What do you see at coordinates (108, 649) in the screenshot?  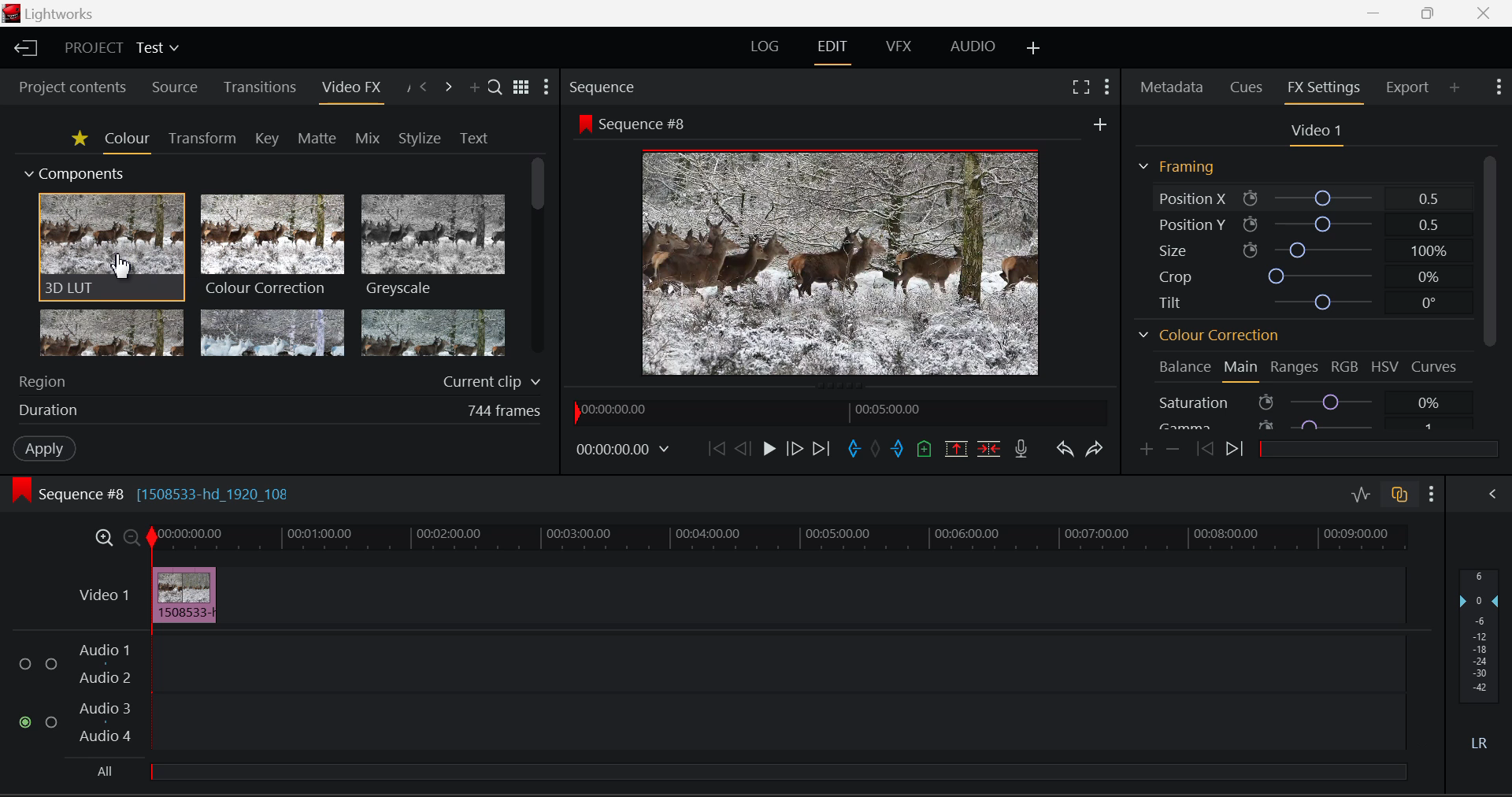 I see `Audio 1` at bounding box center [108, 649].